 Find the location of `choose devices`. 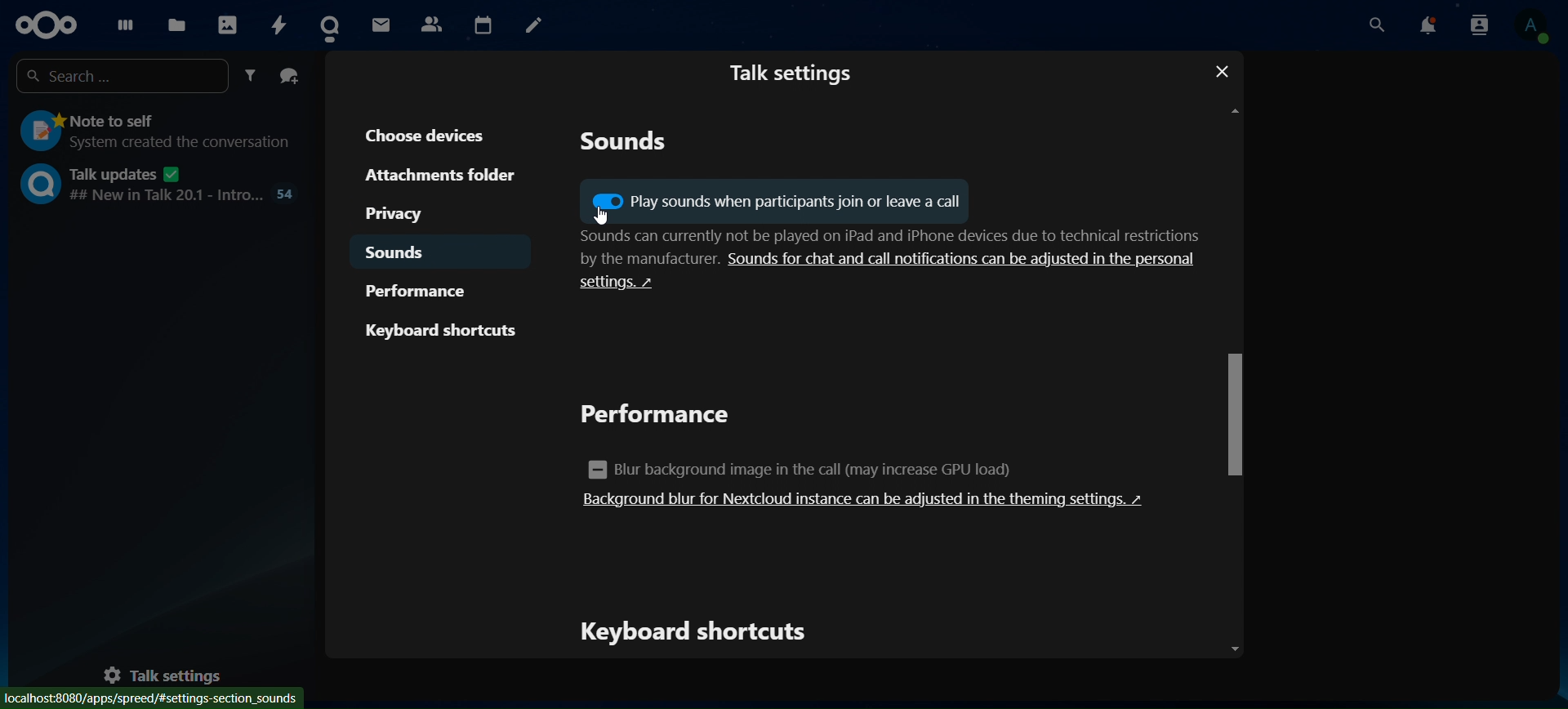

choose devices is located at coordinates (434, 134).